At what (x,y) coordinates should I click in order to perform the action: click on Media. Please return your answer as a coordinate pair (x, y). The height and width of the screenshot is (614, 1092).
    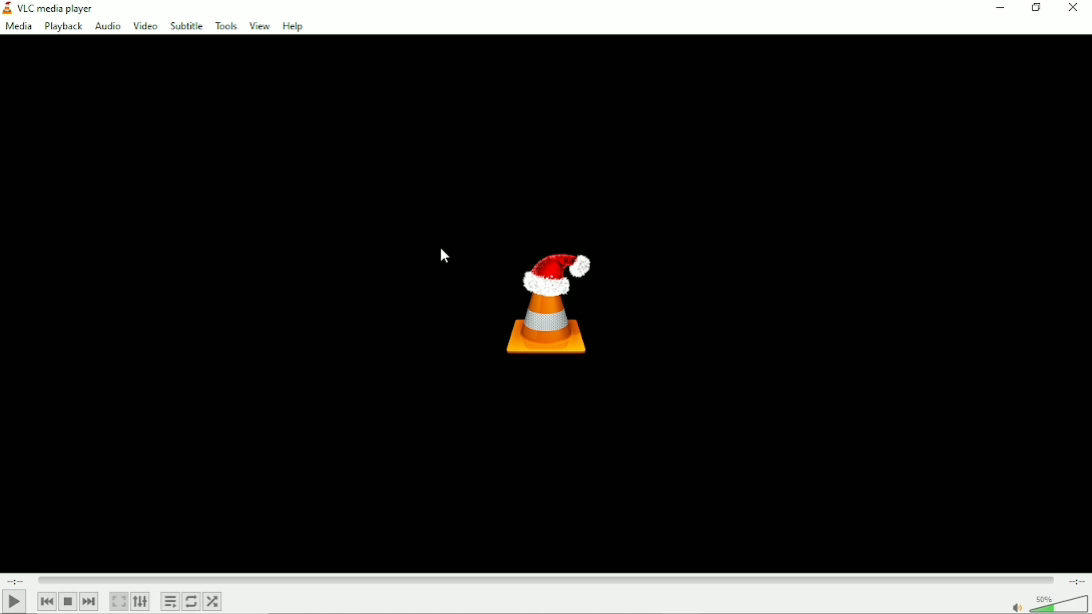
    Looking at the image, I should click on (19, 26).